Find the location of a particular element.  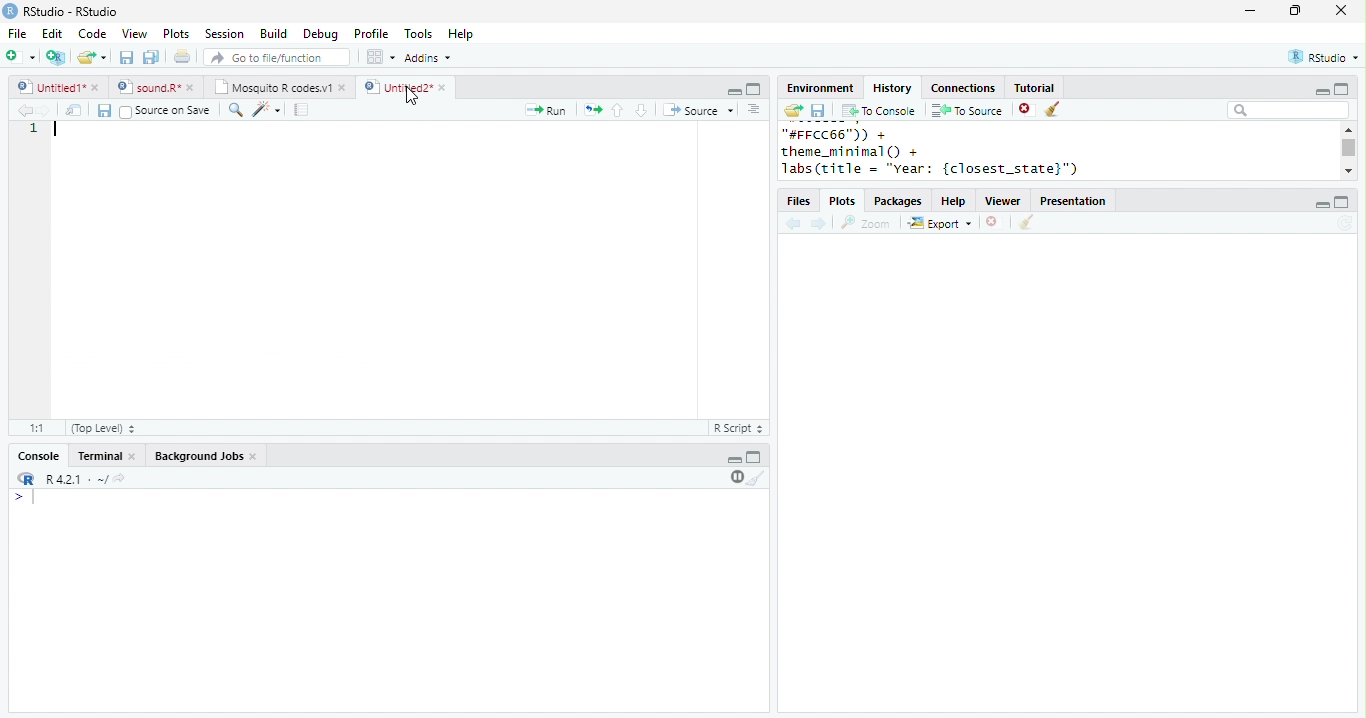

Addins is located at coordinates (428, 58).